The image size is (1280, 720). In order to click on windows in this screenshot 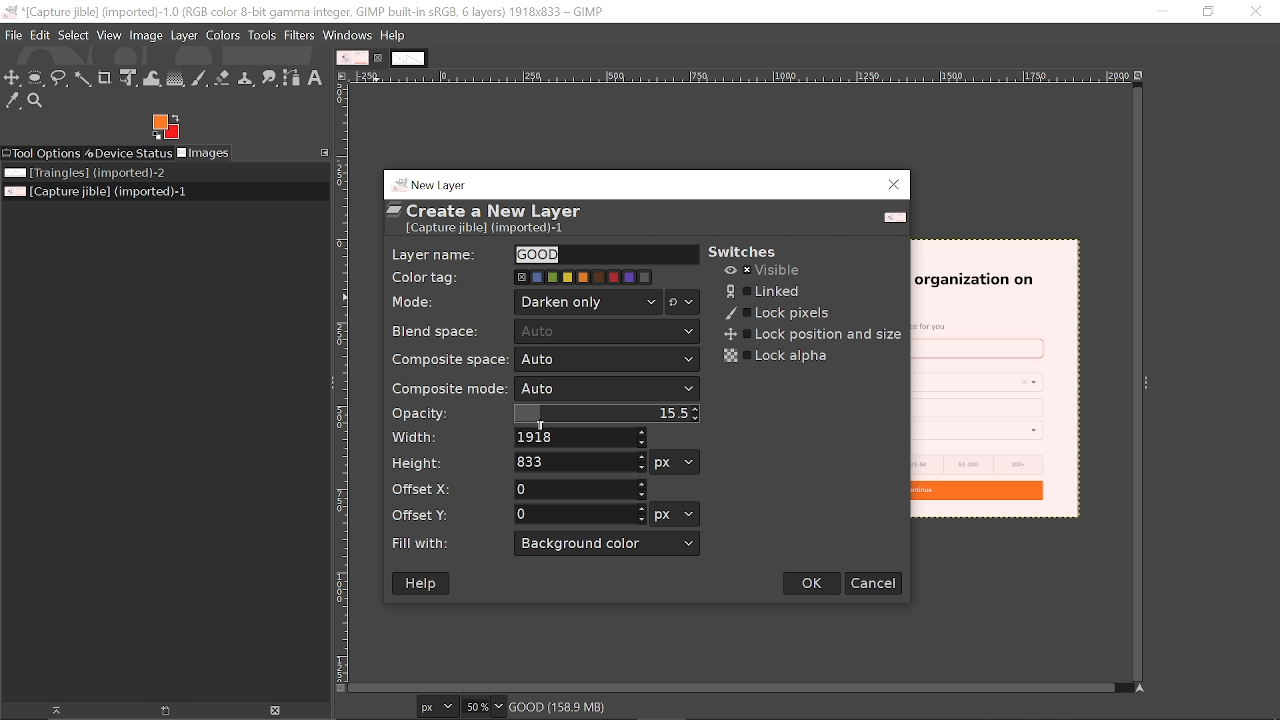, I will do `click(347, 35)`.